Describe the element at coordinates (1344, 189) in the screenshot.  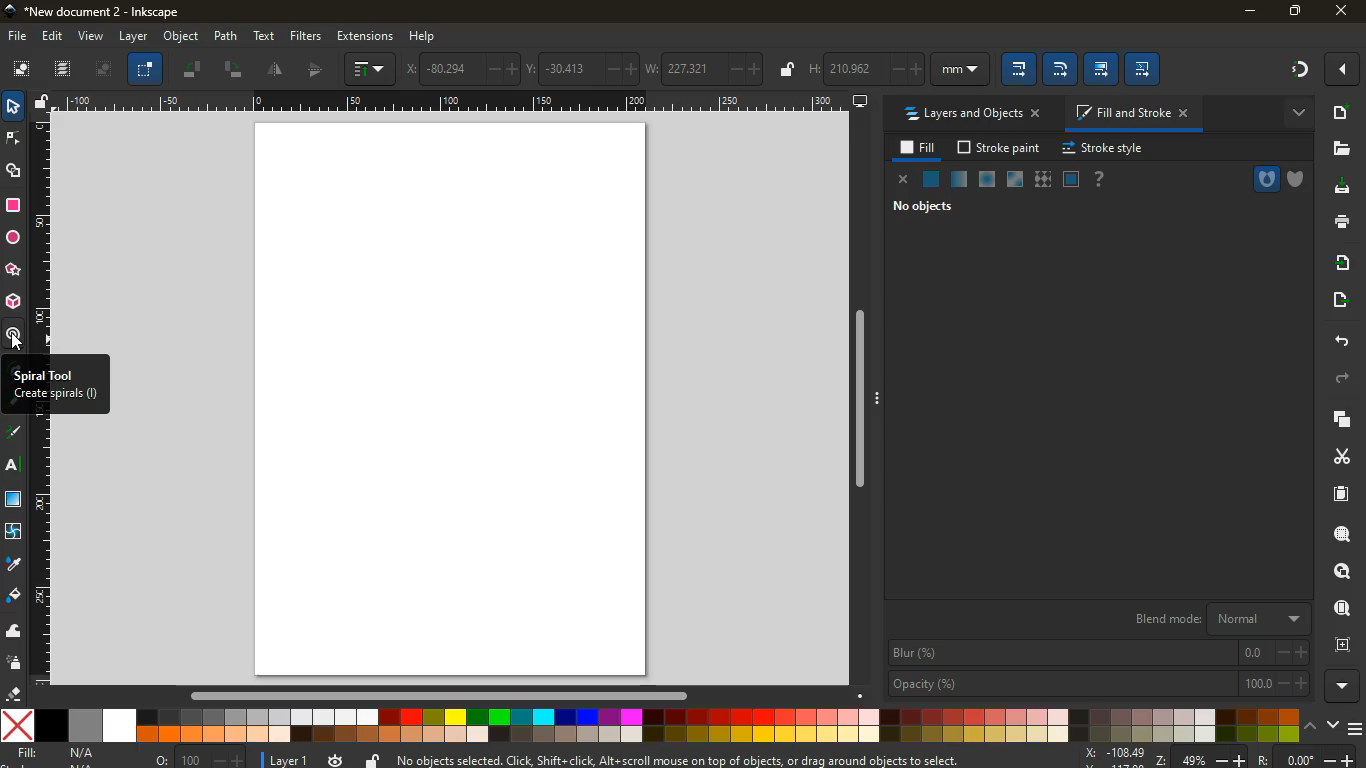
I see `download` at that location.